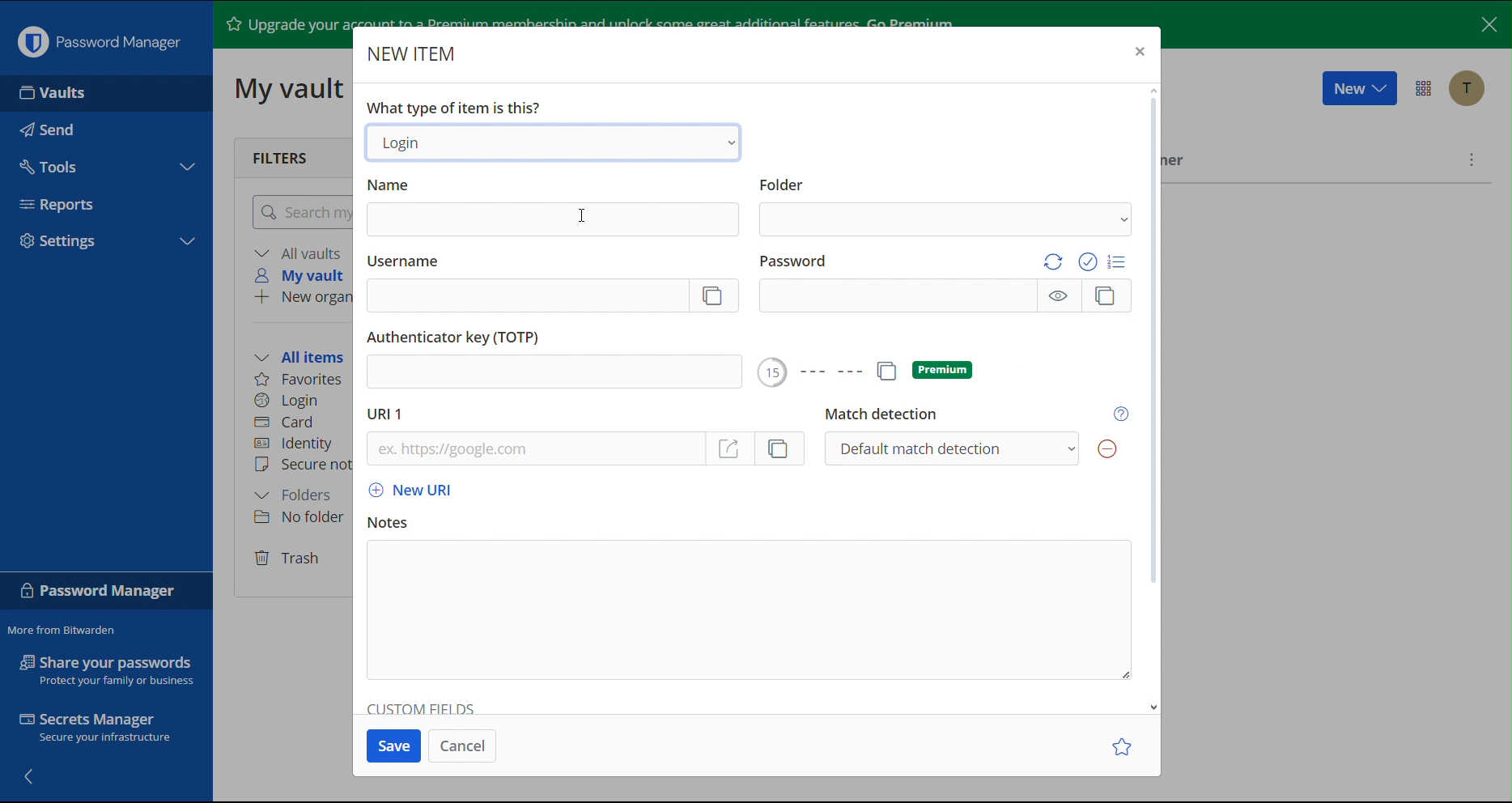 The width and height of the screenshot is (1512, 803). I want to click on URL , so click(588, 452).